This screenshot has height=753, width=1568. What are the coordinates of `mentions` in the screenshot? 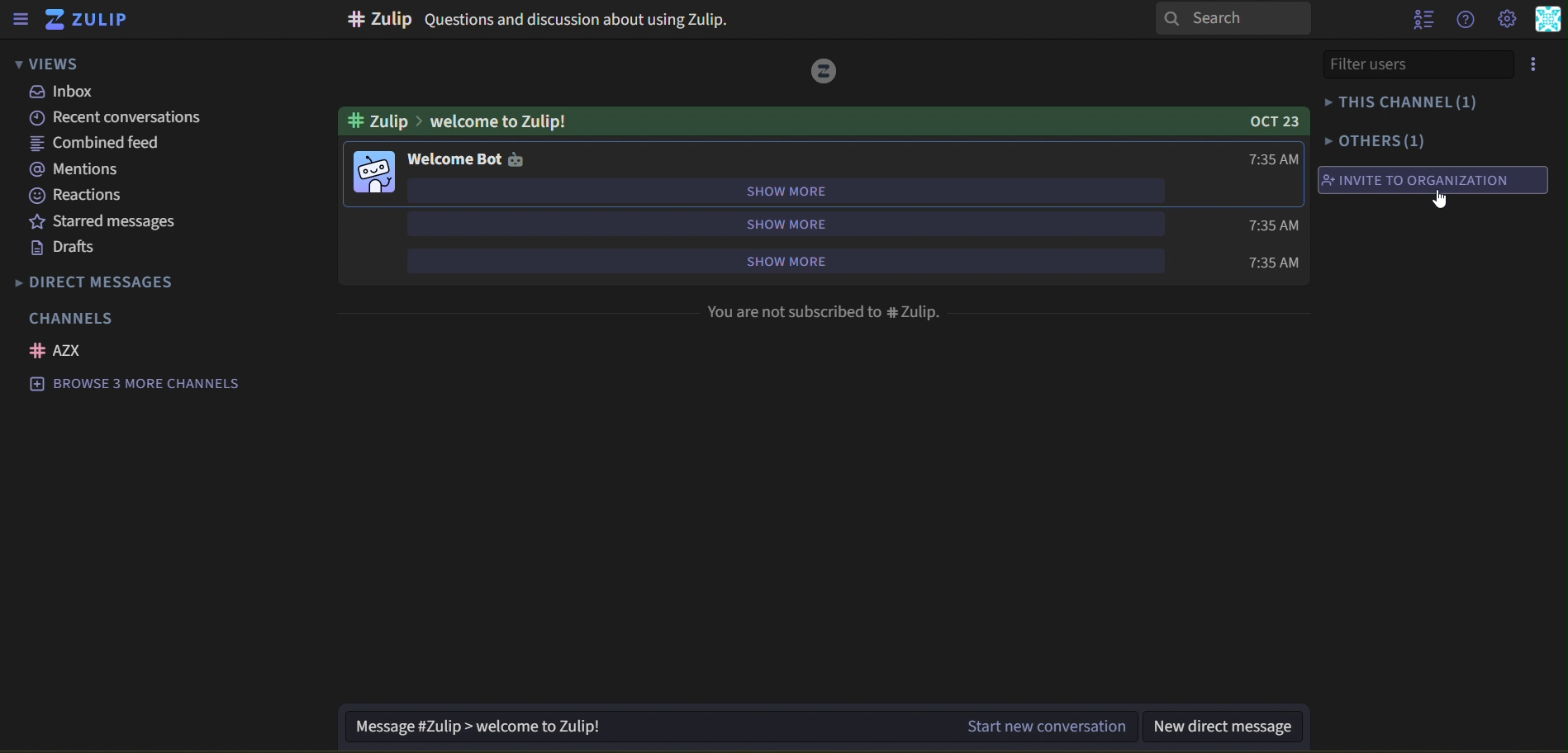 It's located at (75, 169).